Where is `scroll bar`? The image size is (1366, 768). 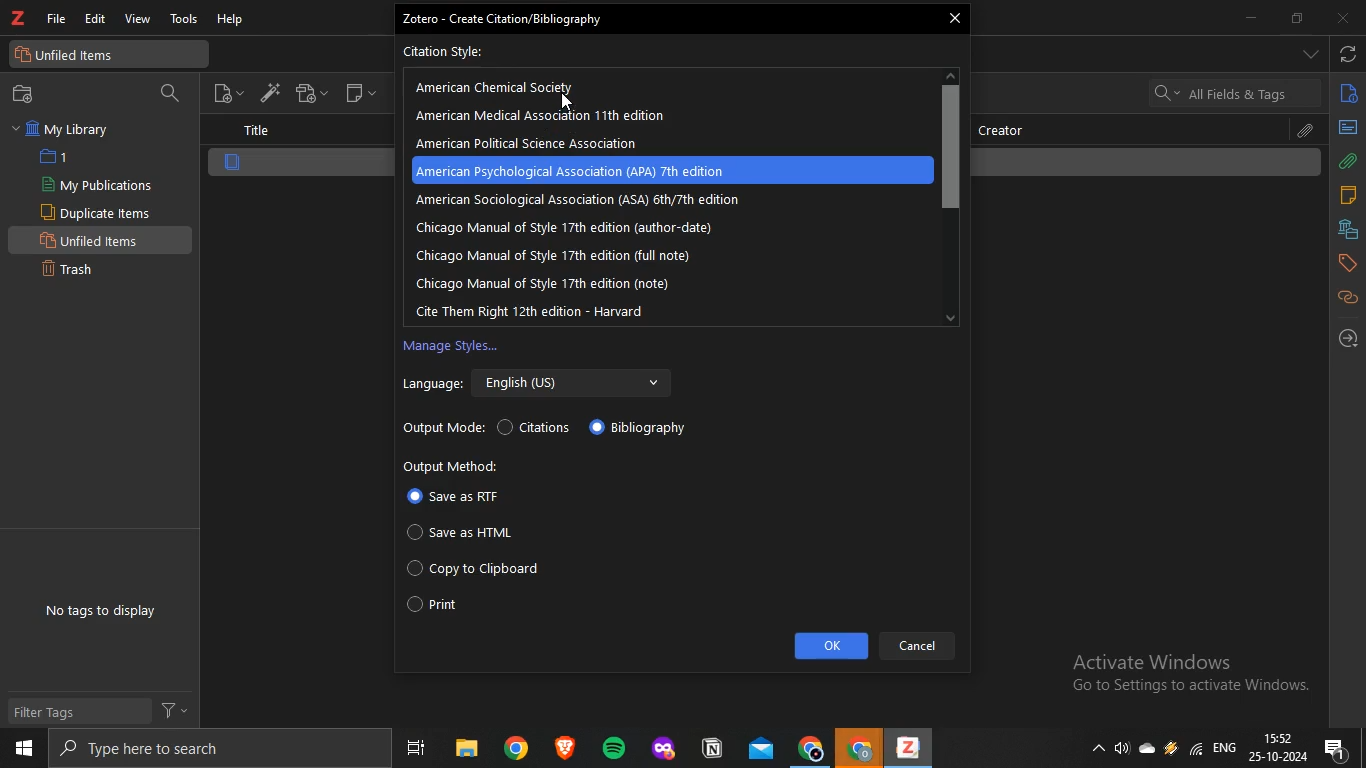 scroll bar is located at coordinates (950, 147).